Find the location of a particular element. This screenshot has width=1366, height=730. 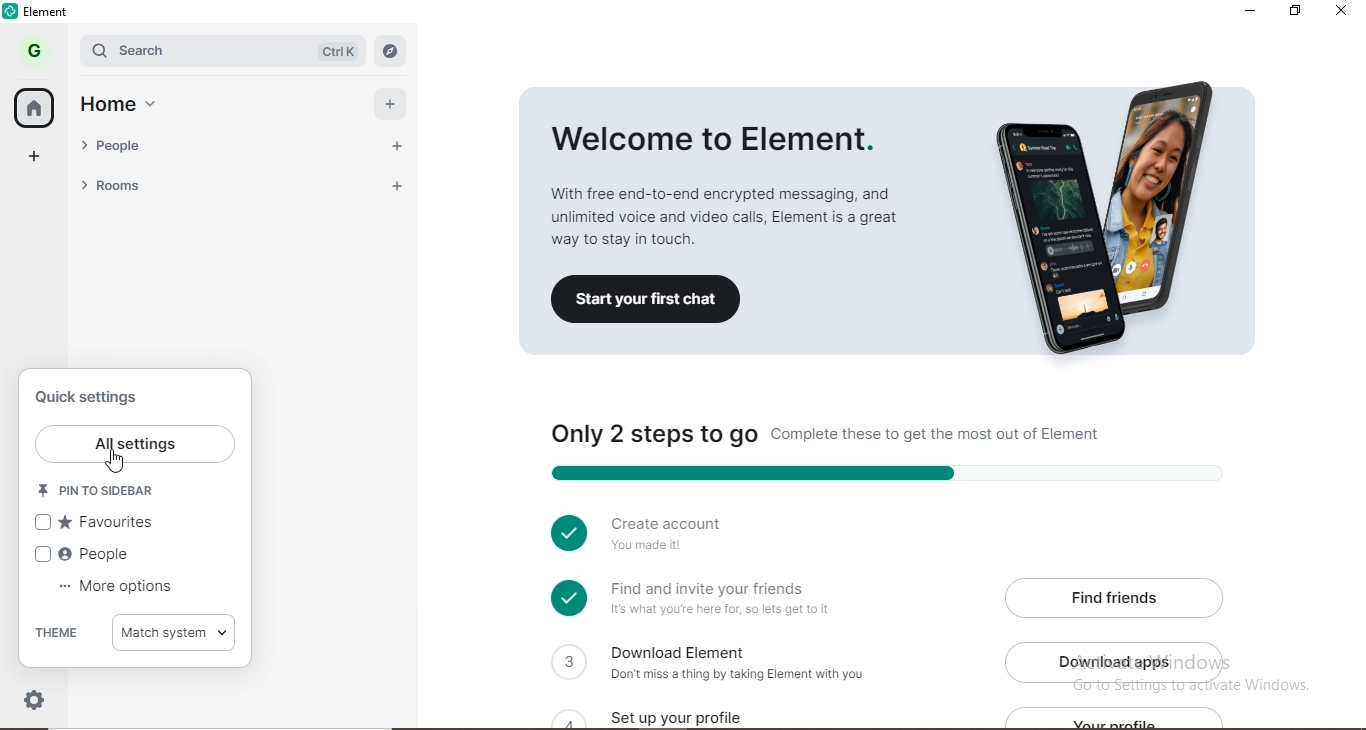

settings is located at coordinates (36, 697).